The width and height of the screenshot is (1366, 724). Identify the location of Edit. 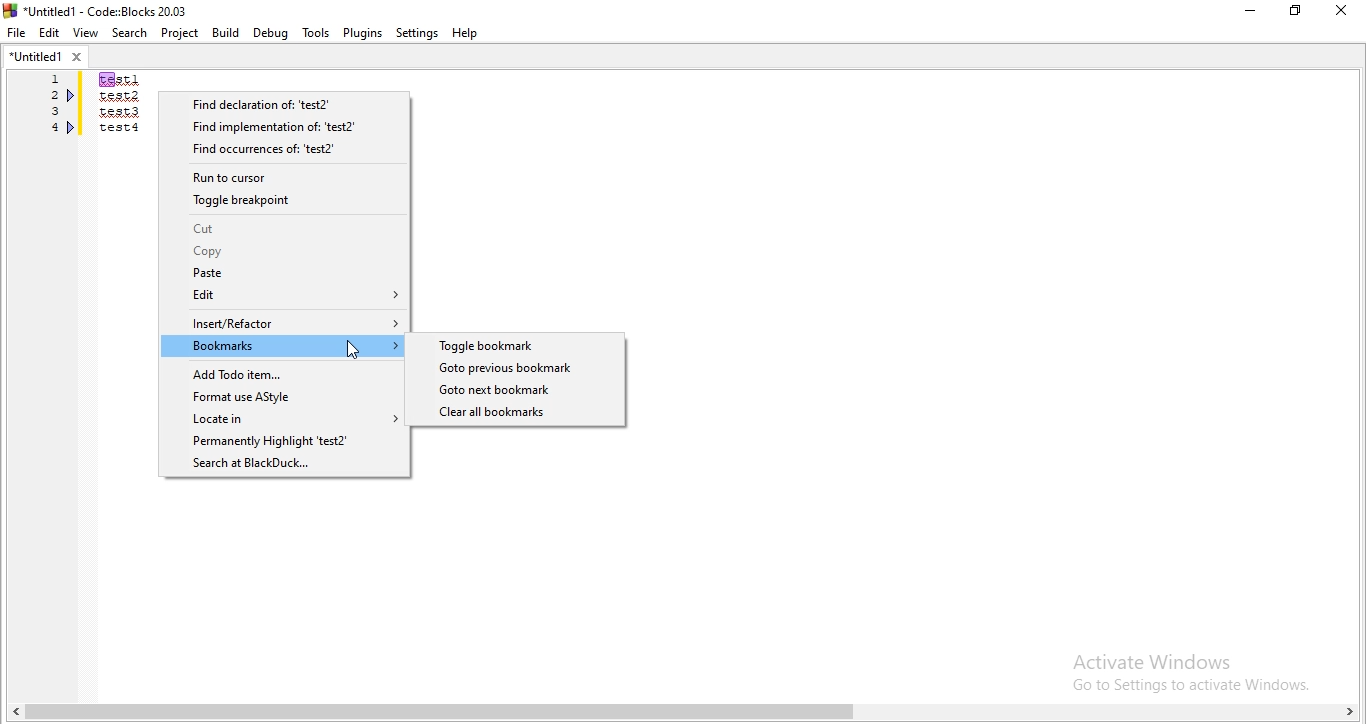
(285, 295).